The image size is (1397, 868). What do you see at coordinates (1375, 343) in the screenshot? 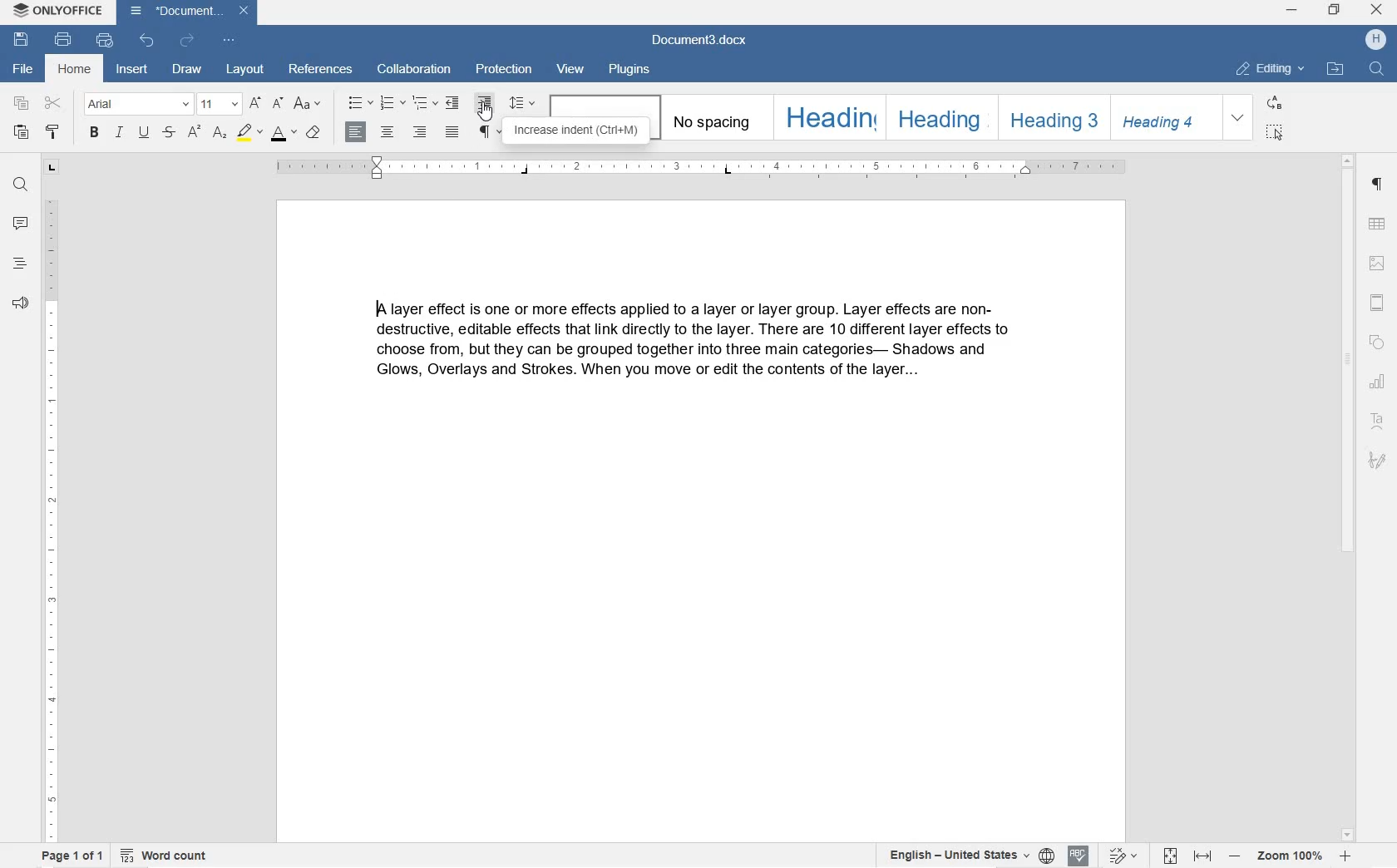
I see `SHAPE` at bounding box center [1375, 343].